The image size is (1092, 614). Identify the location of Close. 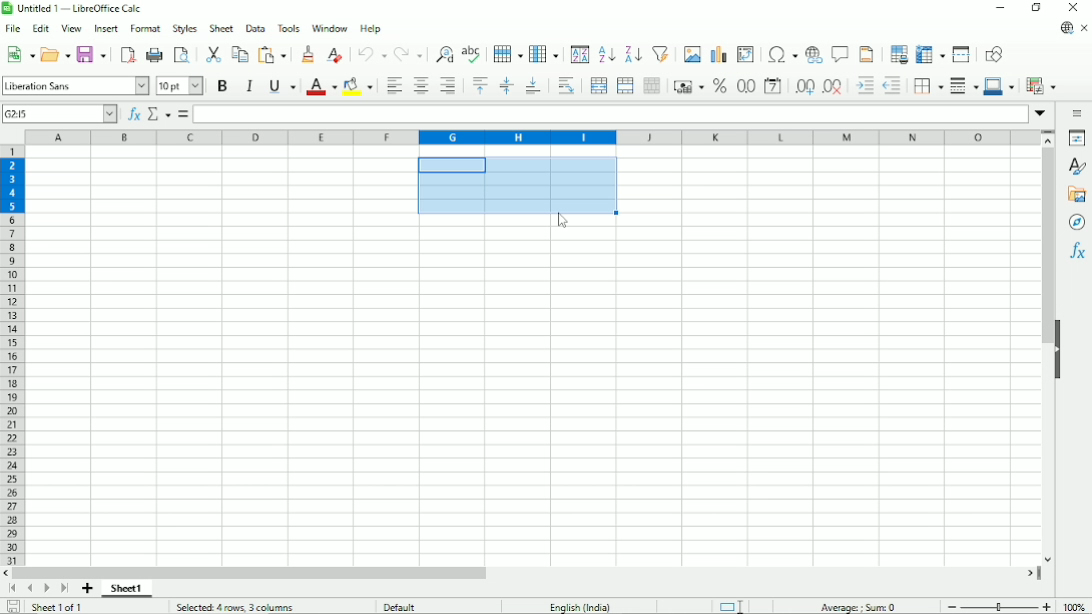
(1075, 7).